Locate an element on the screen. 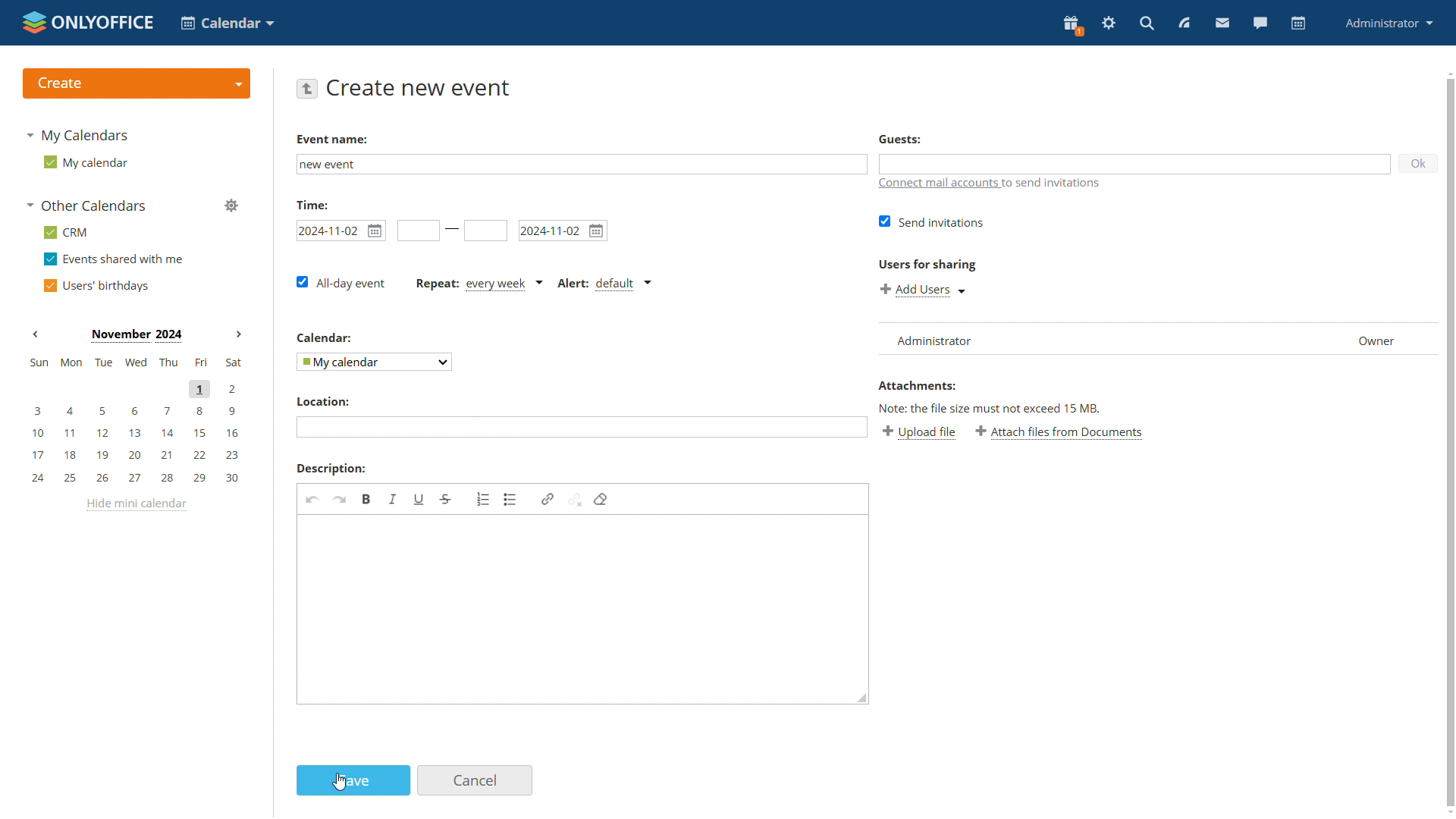 This screenshot has width=1456, height=819. cursor is located at coordinates (339, 782).